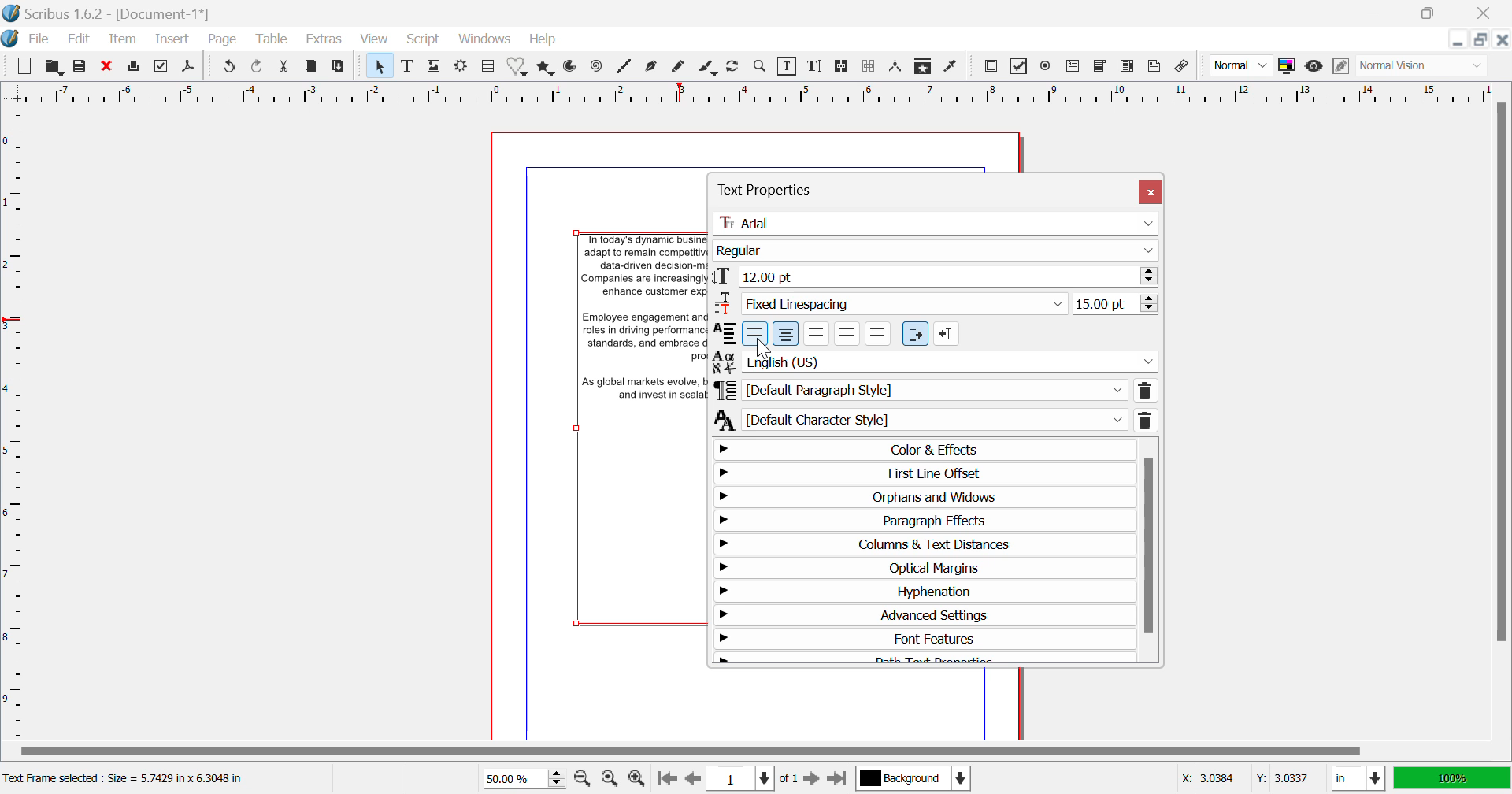 Image resolution: width=1512 pixels, height=794 pixels. Describe the element at coordinates (485, 39) in the screenshot. I see `Windows` at that location.